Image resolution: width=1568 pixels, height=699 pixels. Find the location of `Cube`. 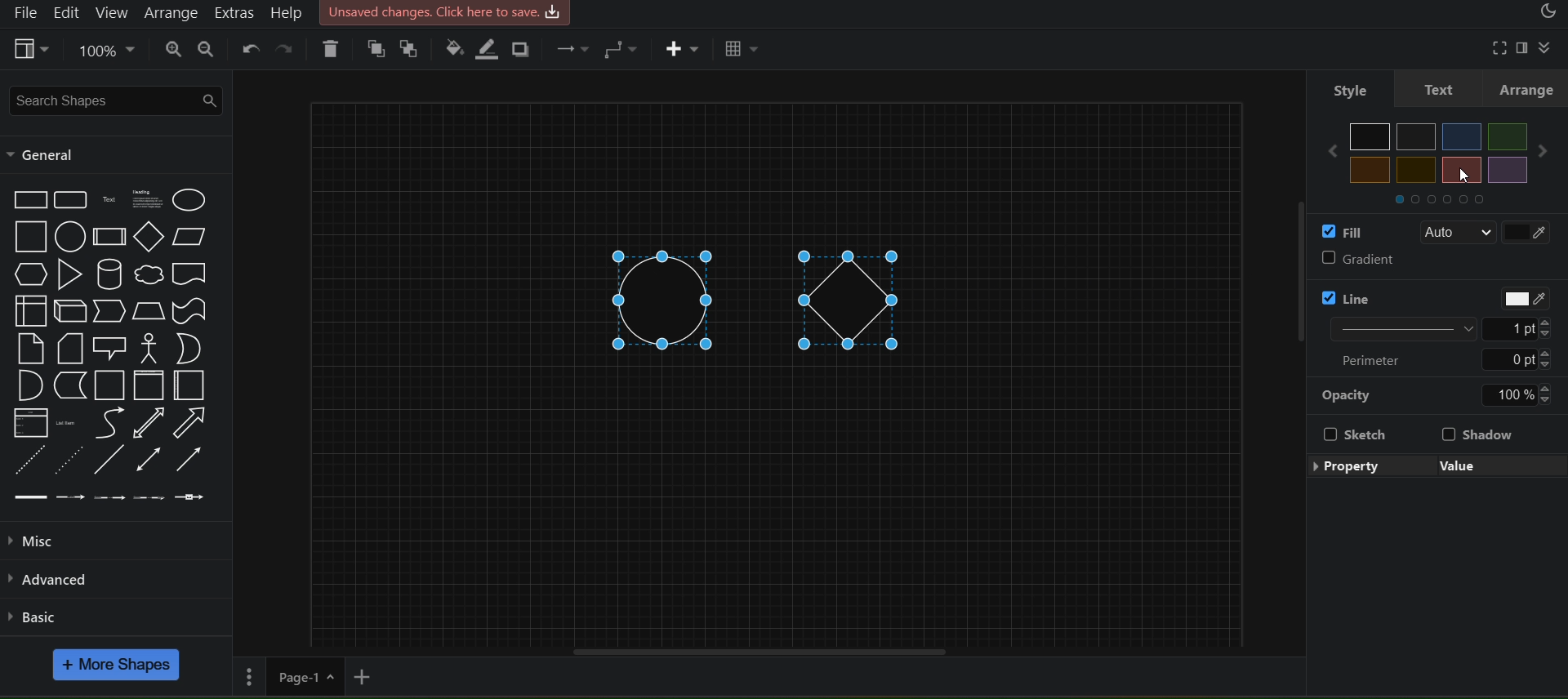

Cube is located at coordinates (70, 311).